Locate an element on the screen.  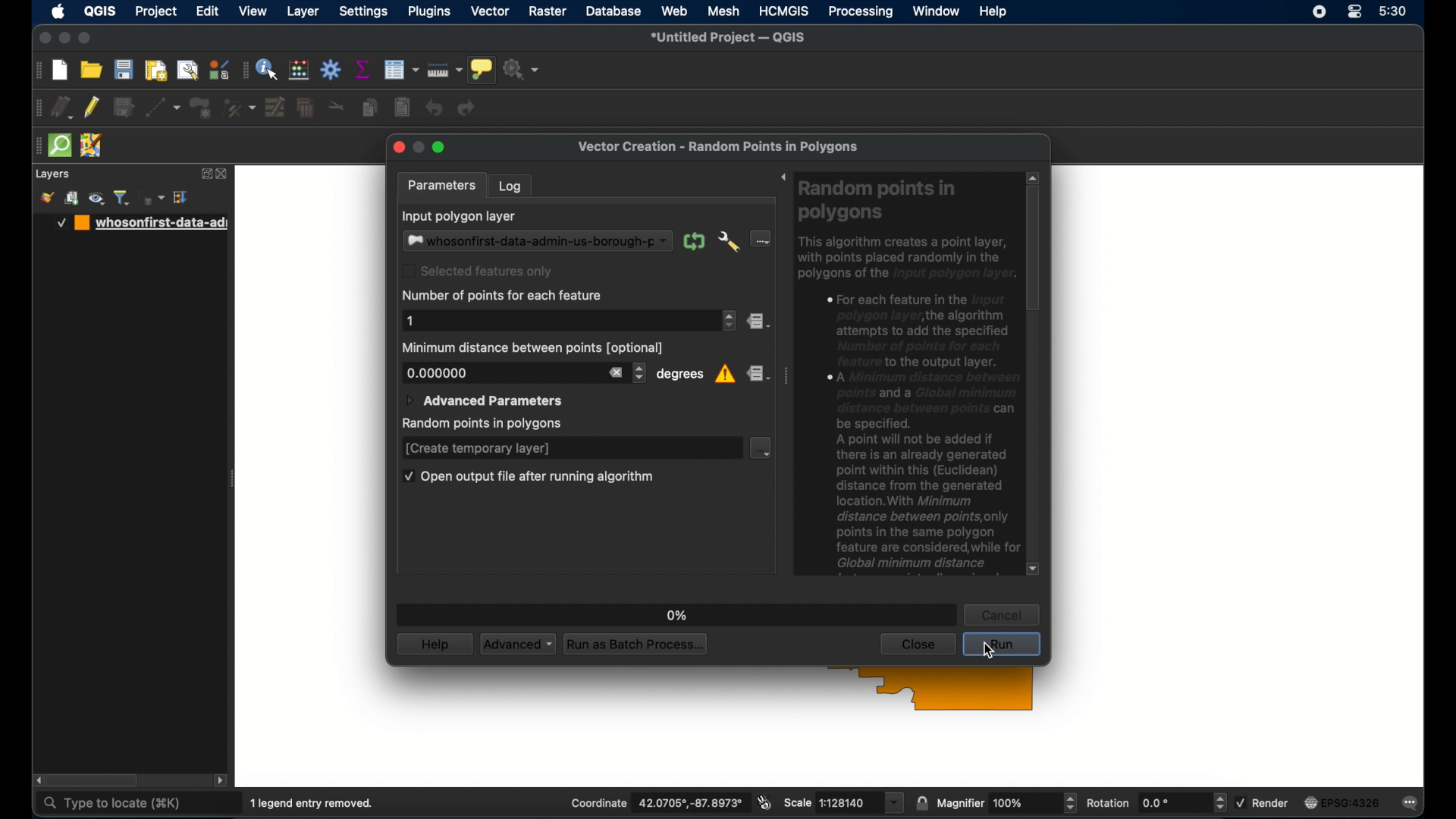
project is located at coordinates (155, 12).